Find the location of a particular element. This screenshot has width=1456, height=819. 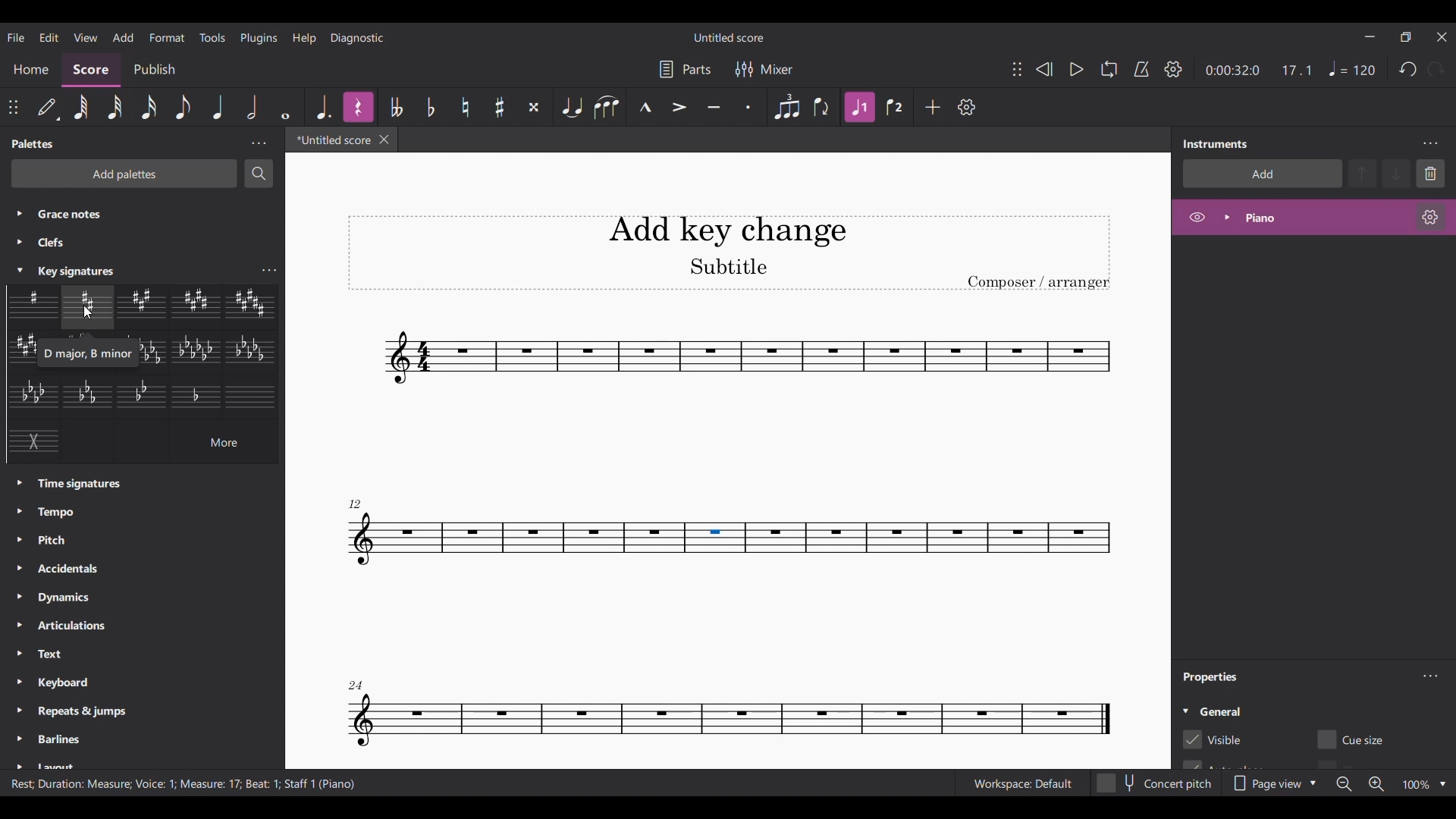

Accent is located at coordinates (679, 107).